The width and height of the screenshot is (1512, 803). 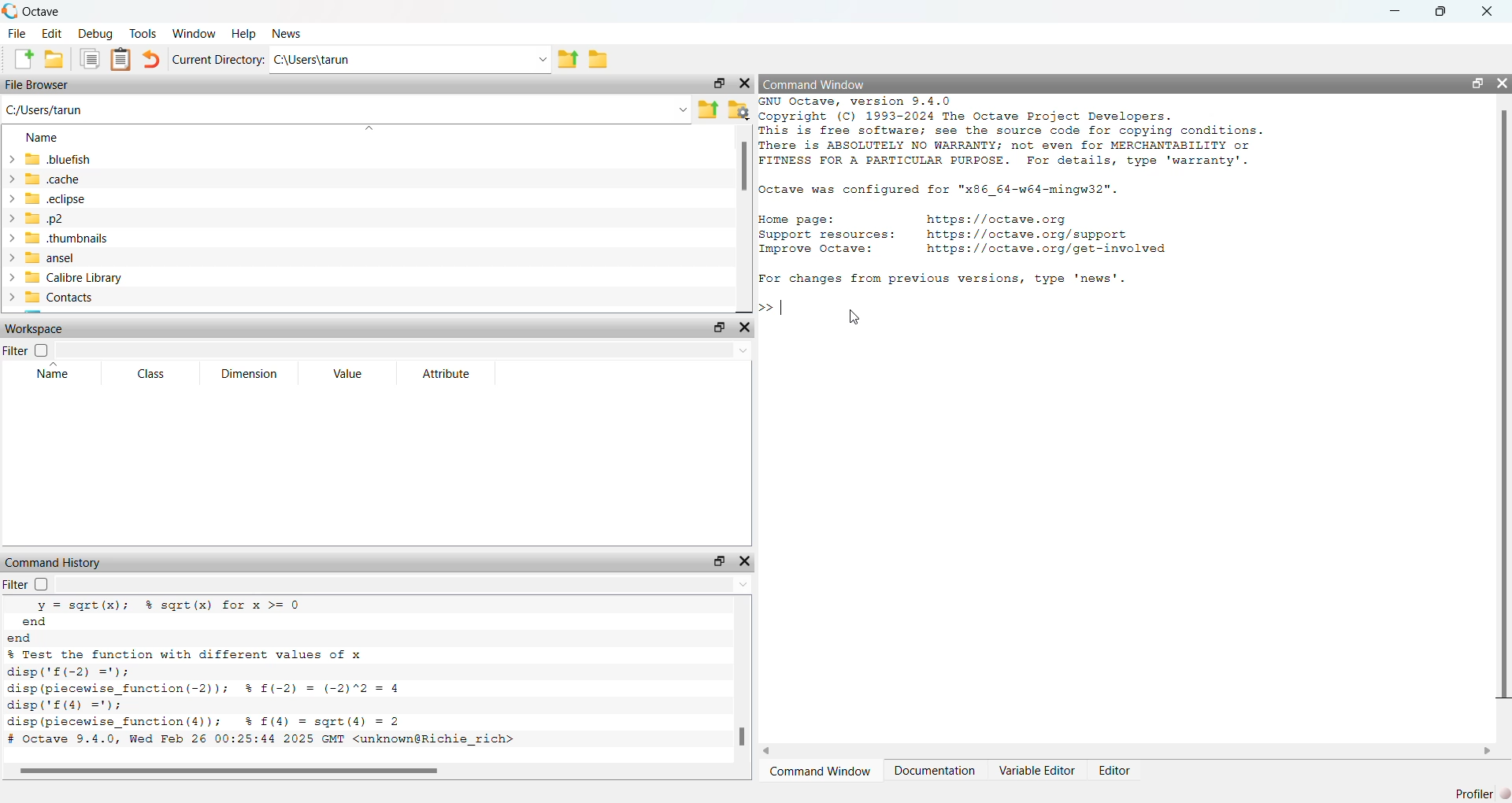 What do you see at coordinates (1485, 13) in the screenshot?
I see `Close` at bounding box center [1485, 13].